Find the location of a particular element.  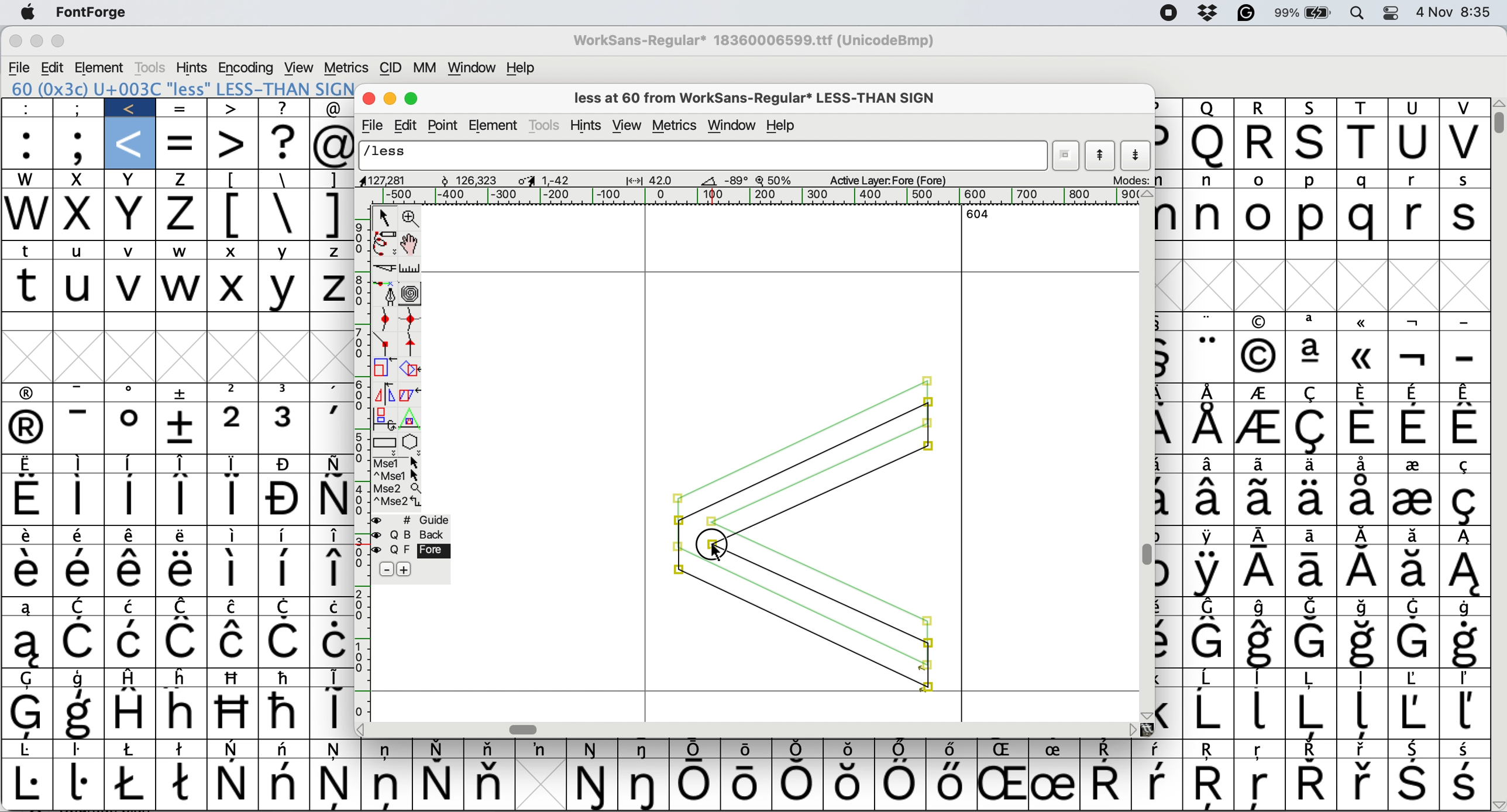

scale glyph is located at coordinates (380, 369).